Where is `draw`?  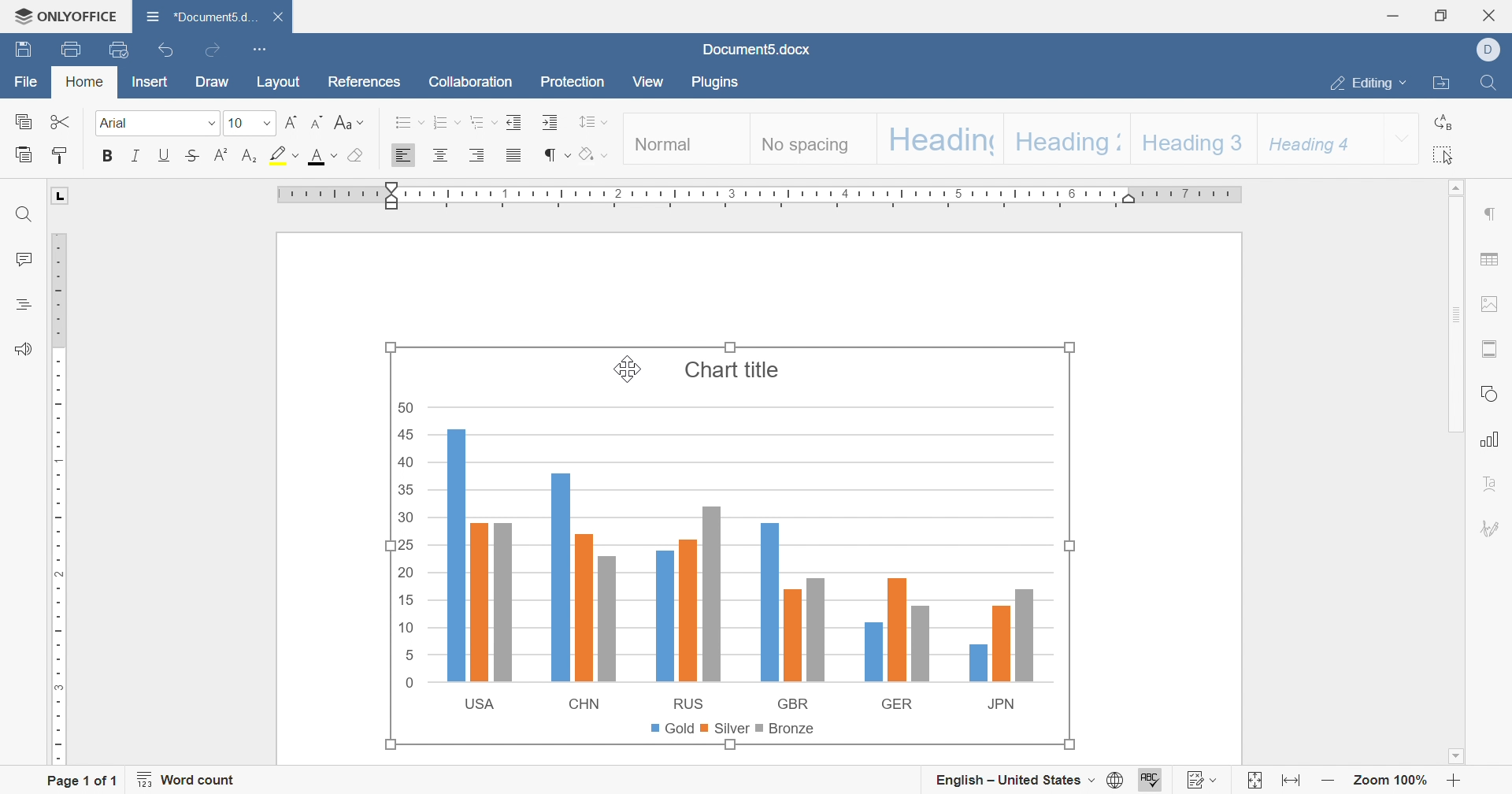 draw is located at coordinates (210, 82).